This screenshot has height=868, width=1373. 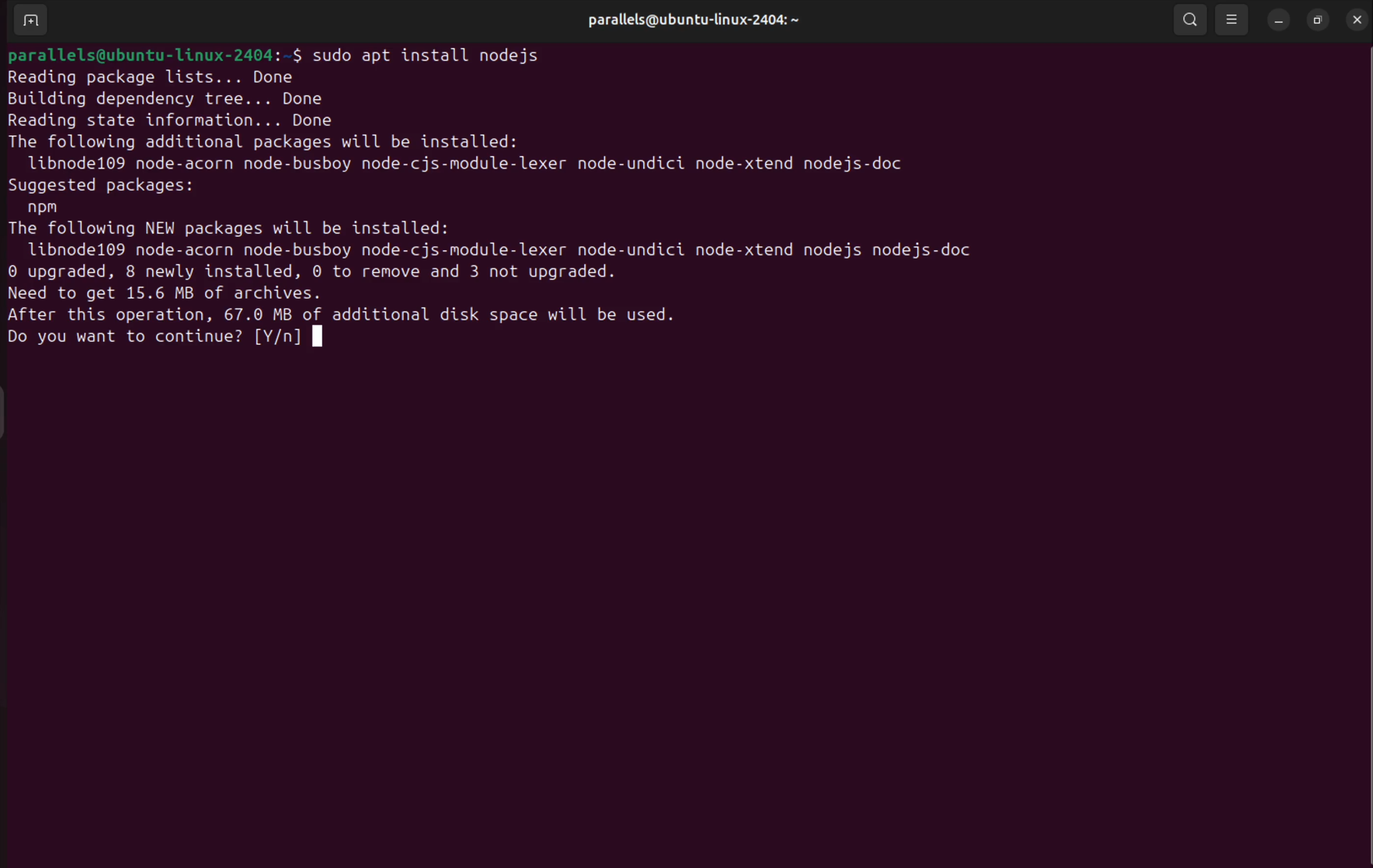 I want to click on Y/n, so click(x=282, y=341).